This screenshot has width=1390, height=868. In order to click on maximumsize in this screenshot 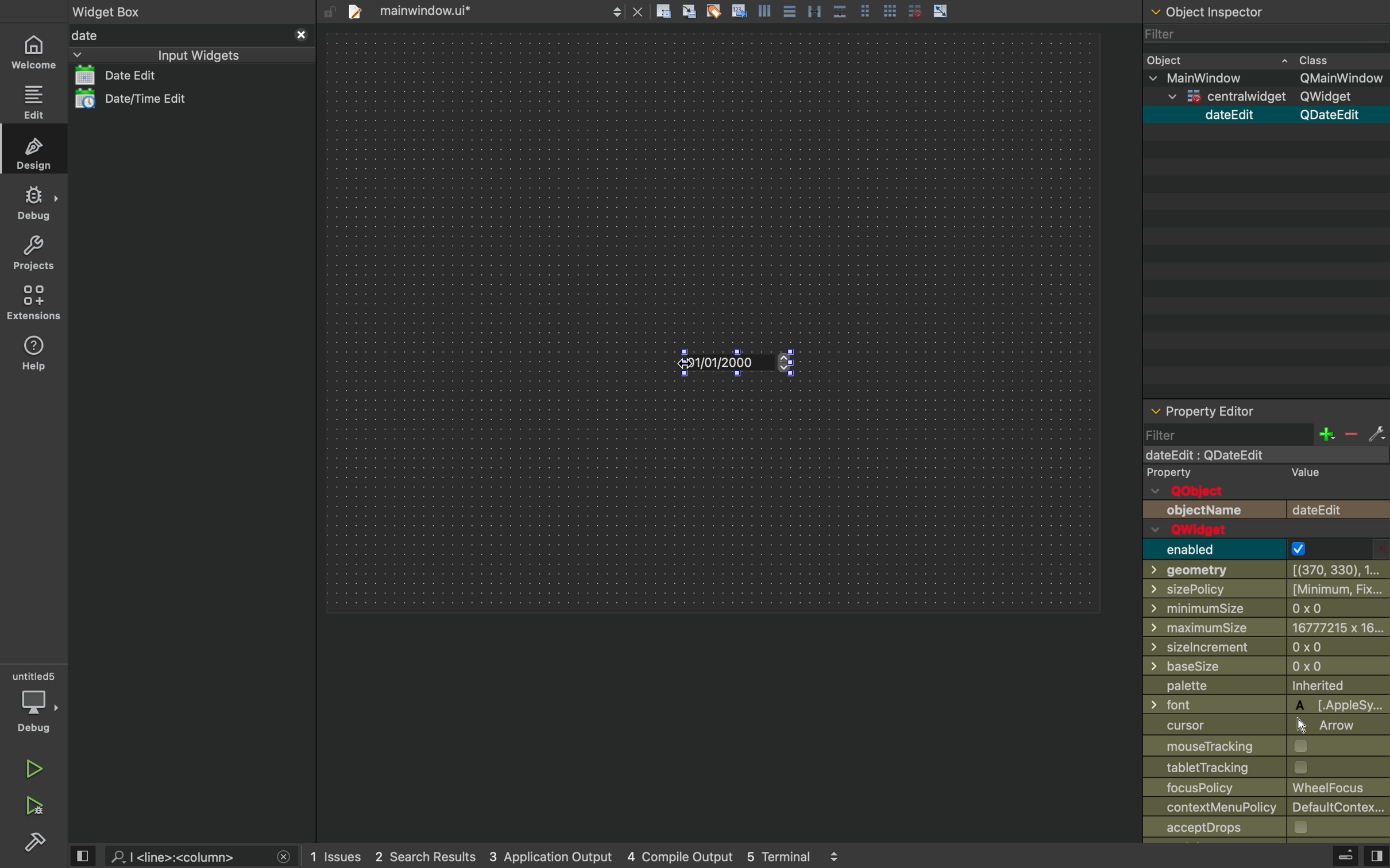, I will do `click(1266, 629)`.